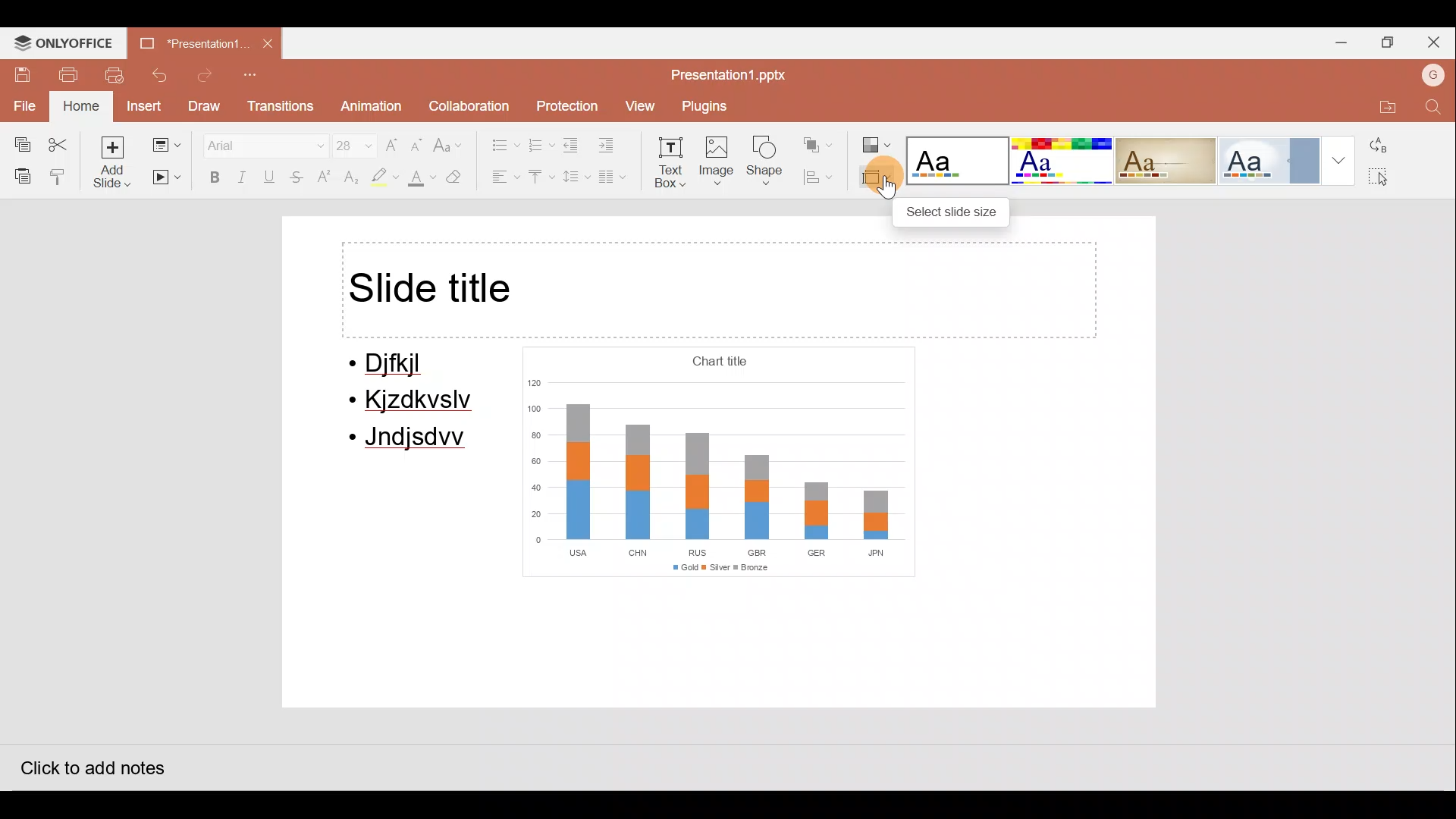 This screenshot has height=819, width=1456. Describe the element at coordinates (573, 145) in the screenshot. I see `Decrease indent` at that location.